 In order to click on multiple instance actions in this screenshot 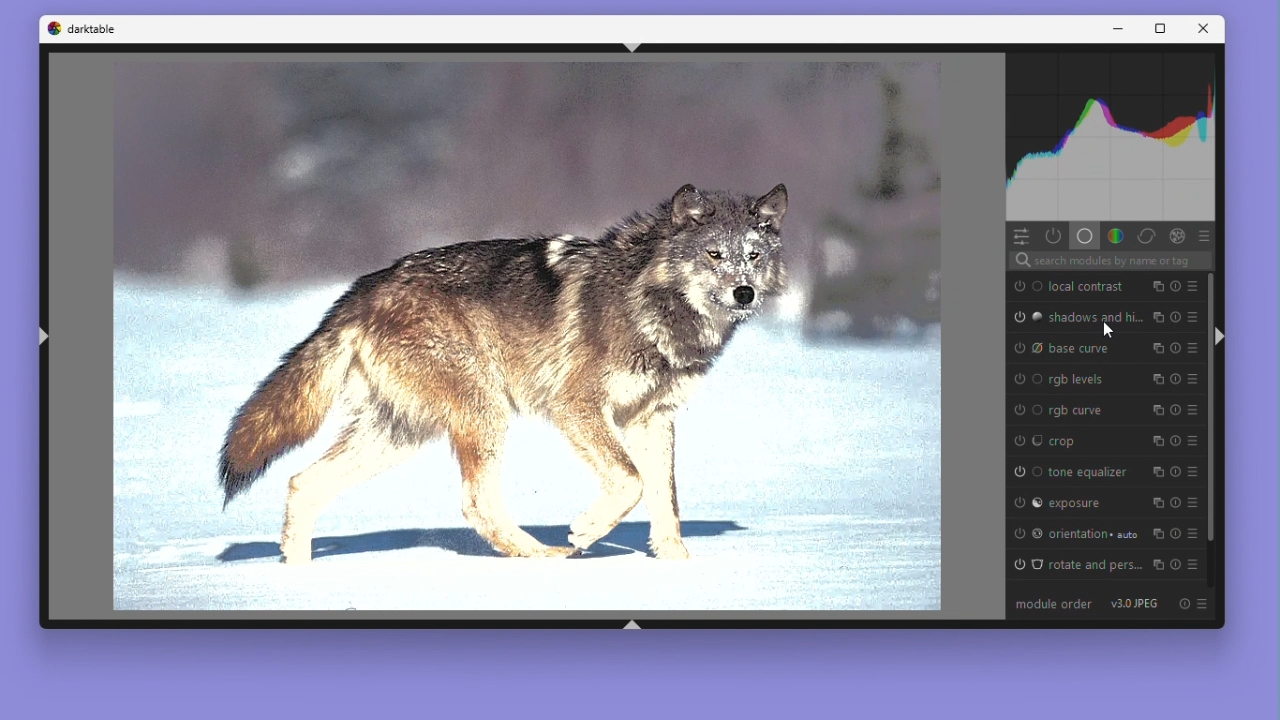, I will do `click(1157, 501)`.